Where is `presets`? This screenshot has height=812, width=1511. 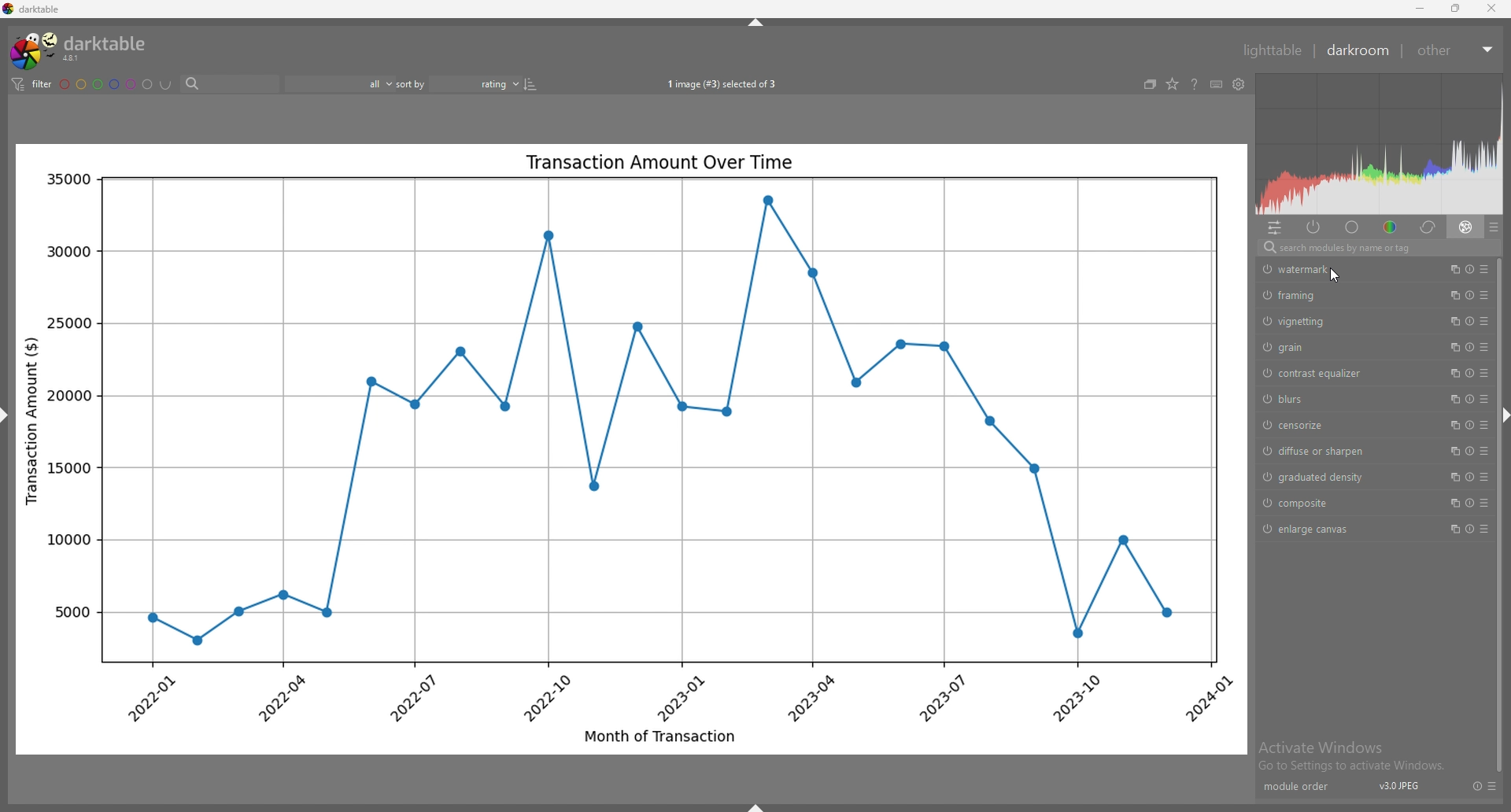
presets is located at coordinates (1484, 399).